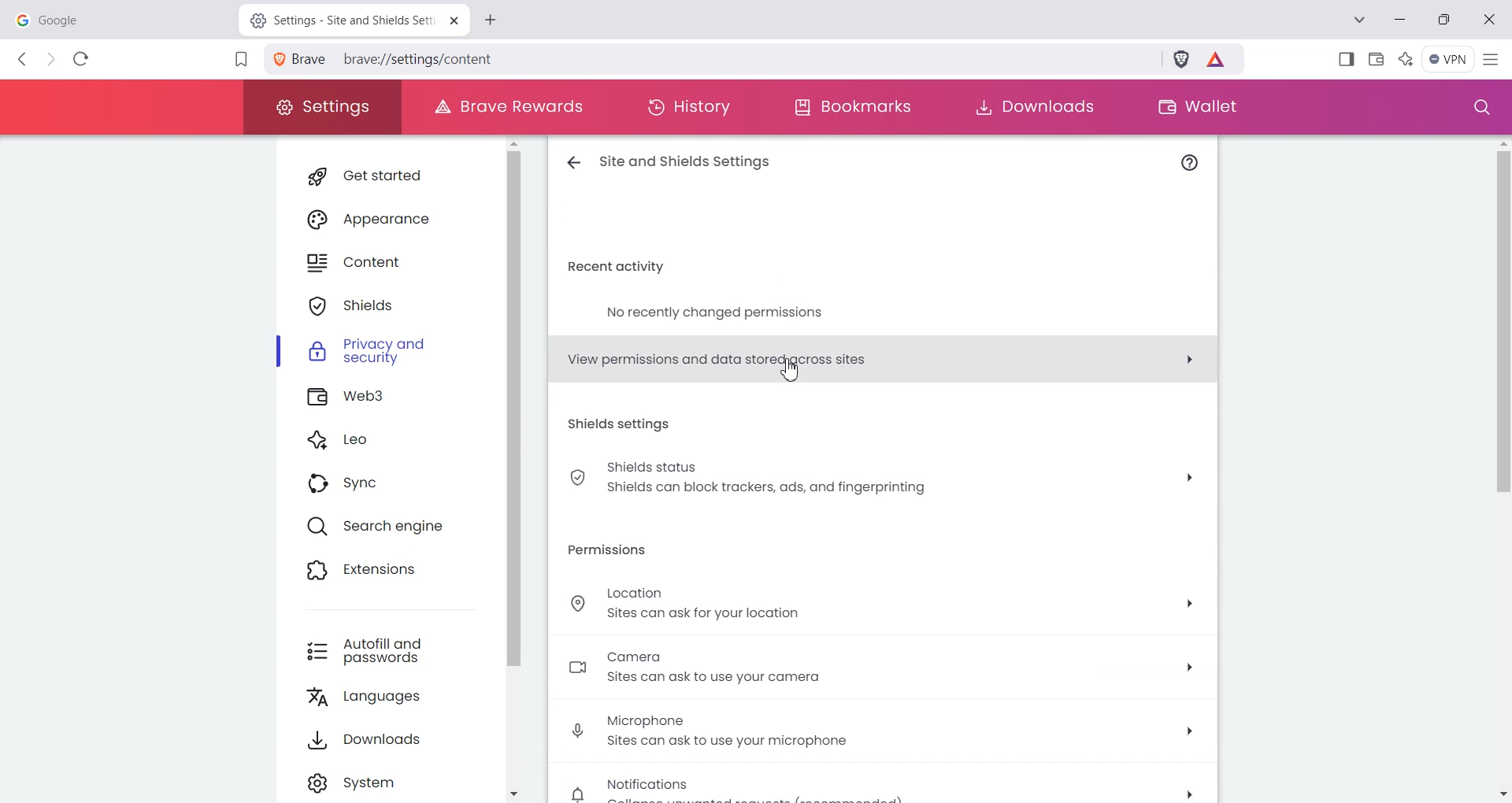 Image resolution: width=1512 pixels, height=803 pixels. What do you see at coordinates (1377, 57) in the screenshot?
I see `Wallet` at bounding box center [1377, 57].